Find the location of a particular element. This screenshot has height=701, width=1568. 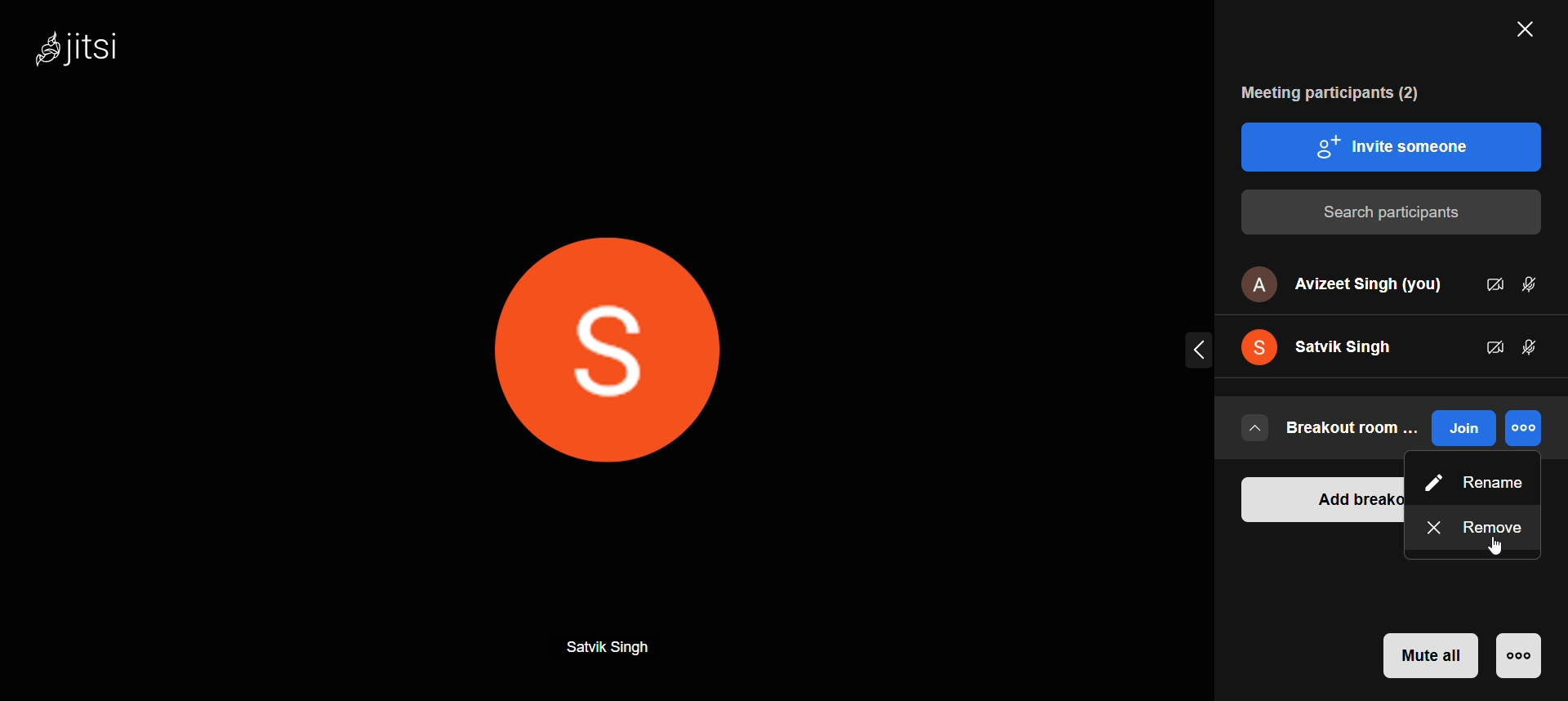

more is located at coordinates (1527, 426).